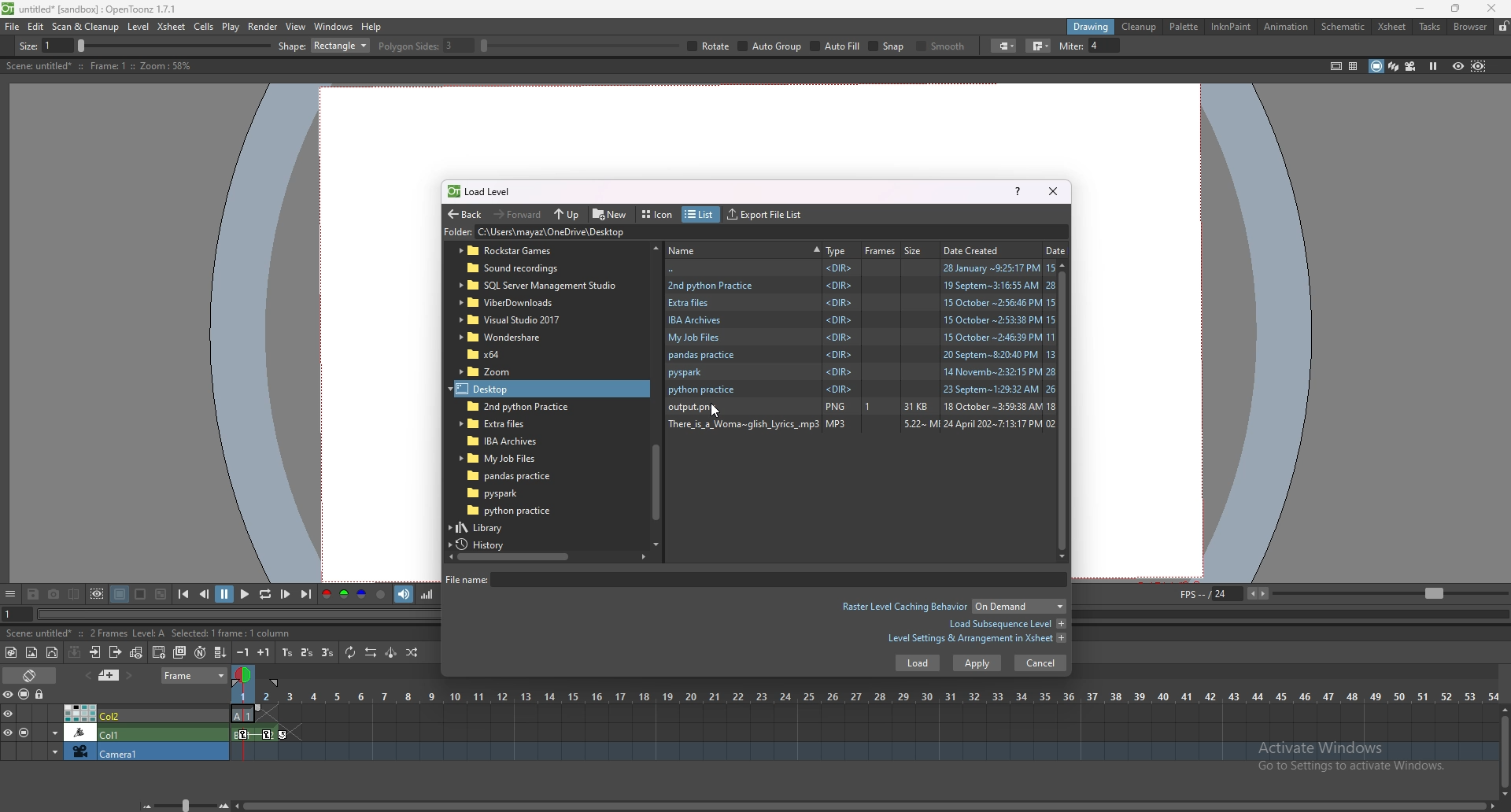 This screenshot has height=812, width=1511. Describe the element at coordinates (371, 652) in the screenshot. I see `reverse` at that location.